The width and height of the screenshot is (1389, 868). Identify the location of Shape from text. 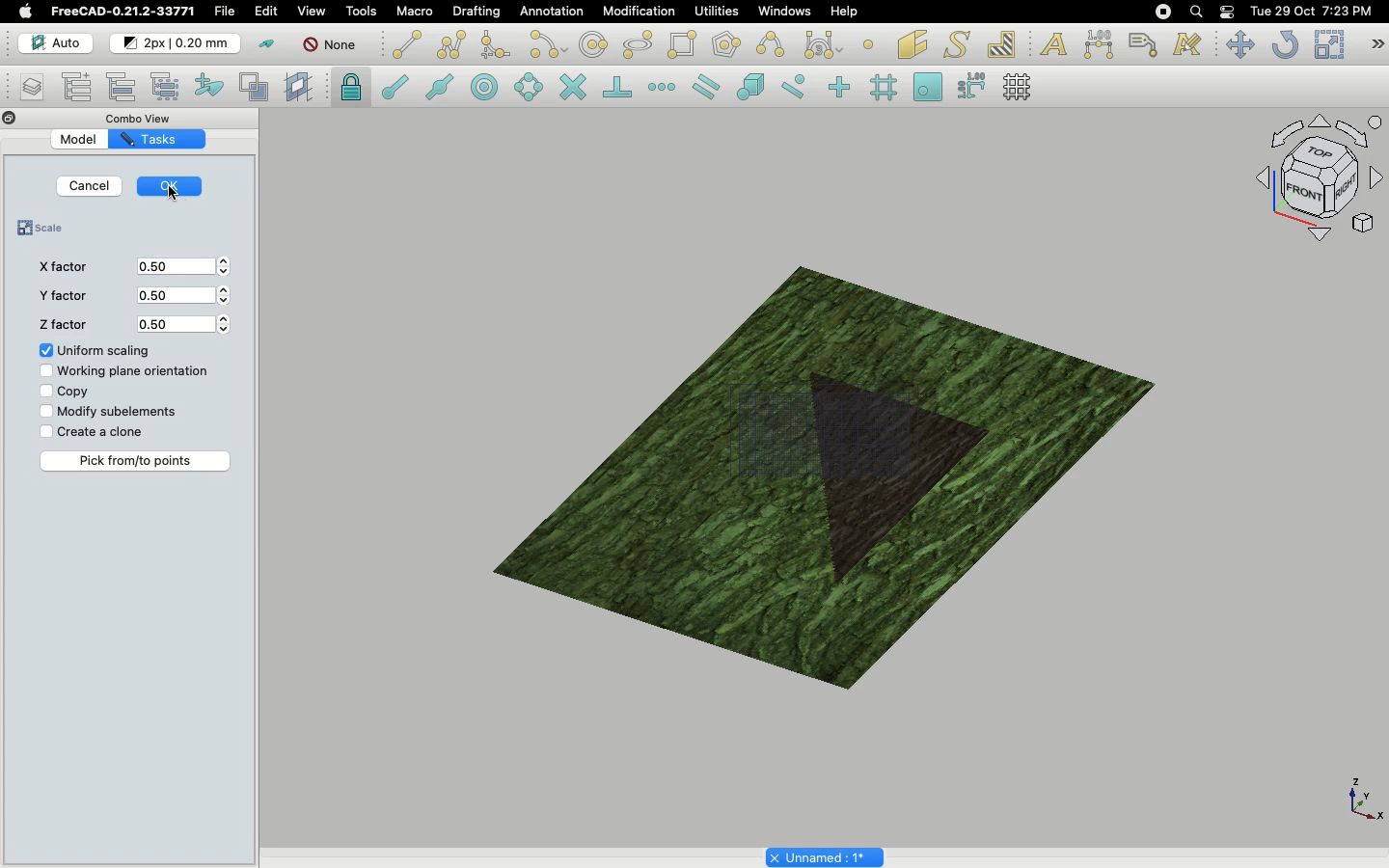
(955, 44).